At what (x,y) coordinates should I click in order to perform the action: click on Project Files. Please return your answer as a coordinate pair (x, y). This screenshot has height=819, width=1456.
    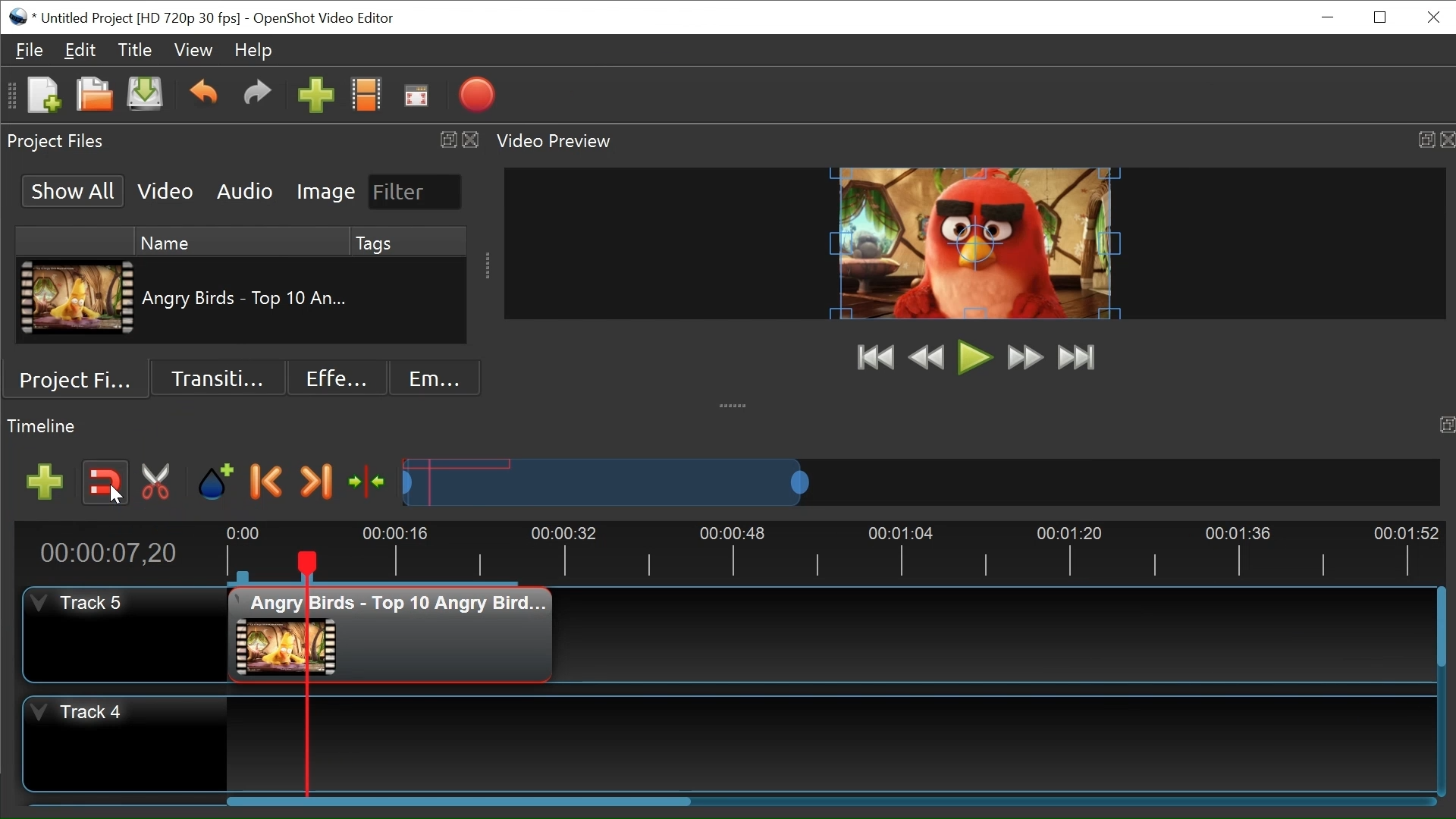
    Looking at the image, I should click on (77, 376).